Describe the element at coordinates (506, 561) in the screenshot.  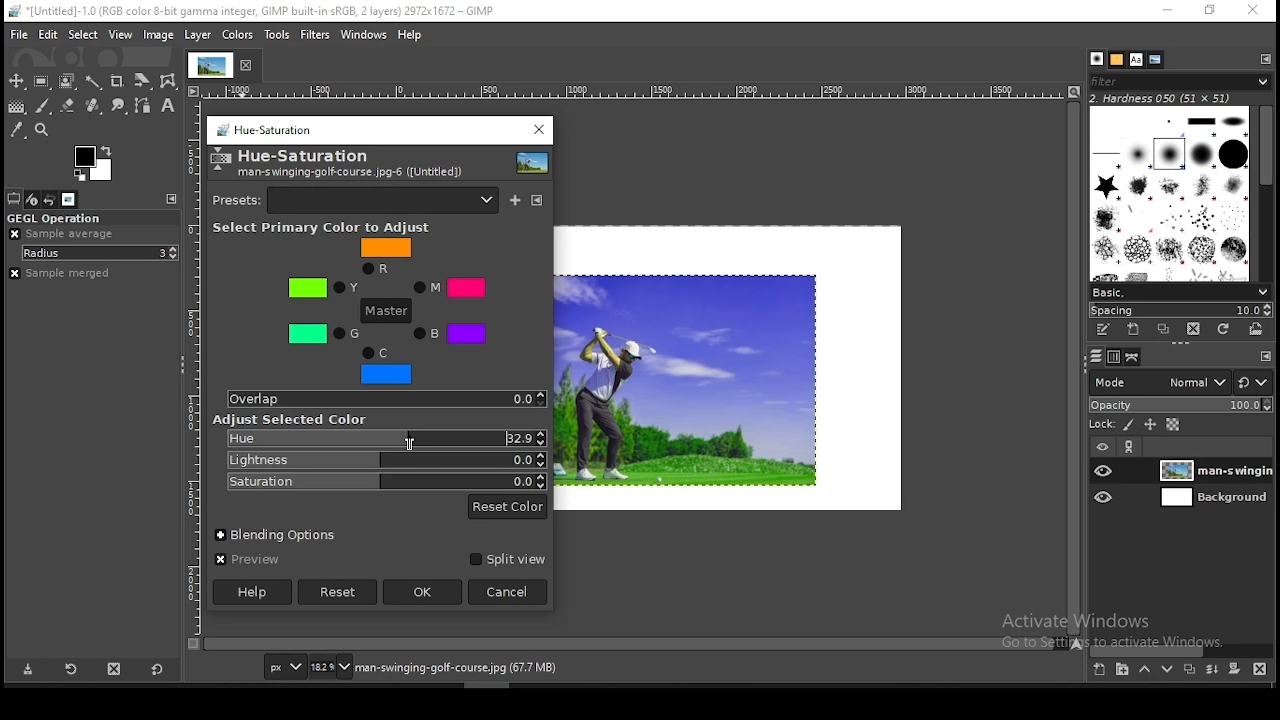
I see `split view` at that location.